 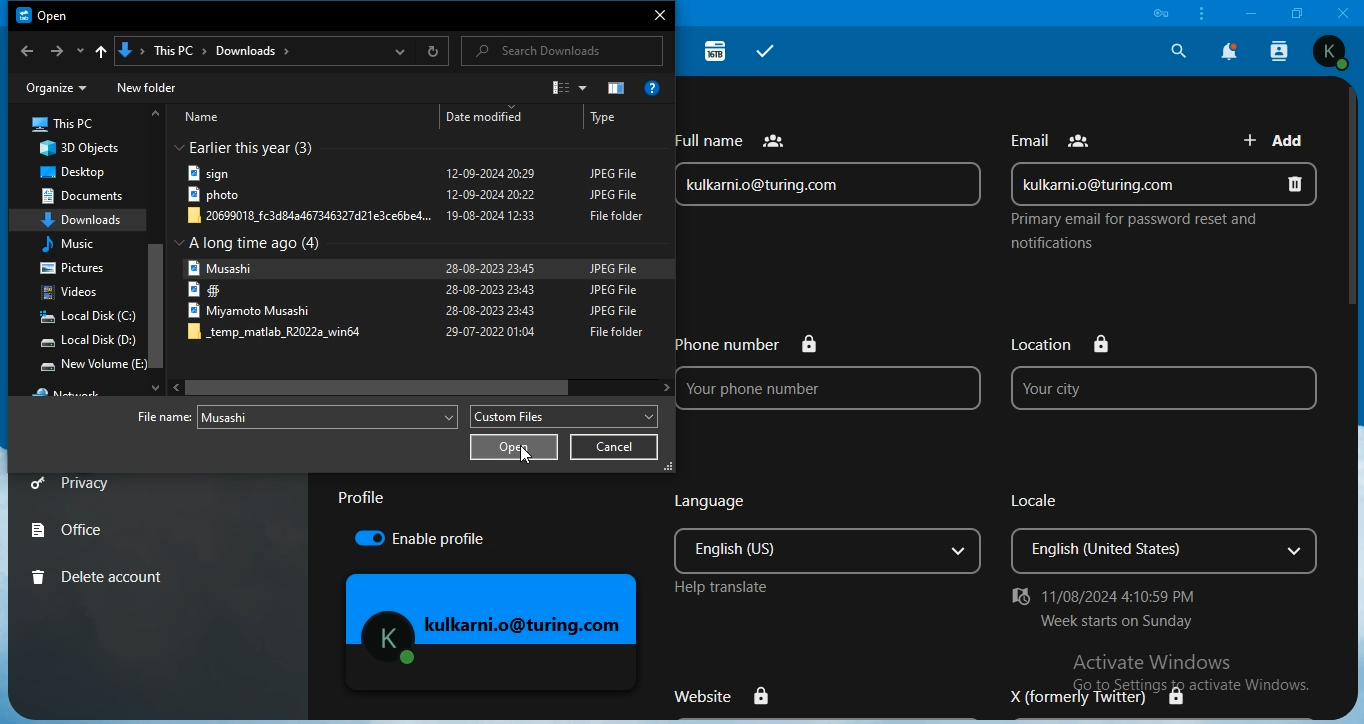 I want to click on music, so click(x=74, y=245).